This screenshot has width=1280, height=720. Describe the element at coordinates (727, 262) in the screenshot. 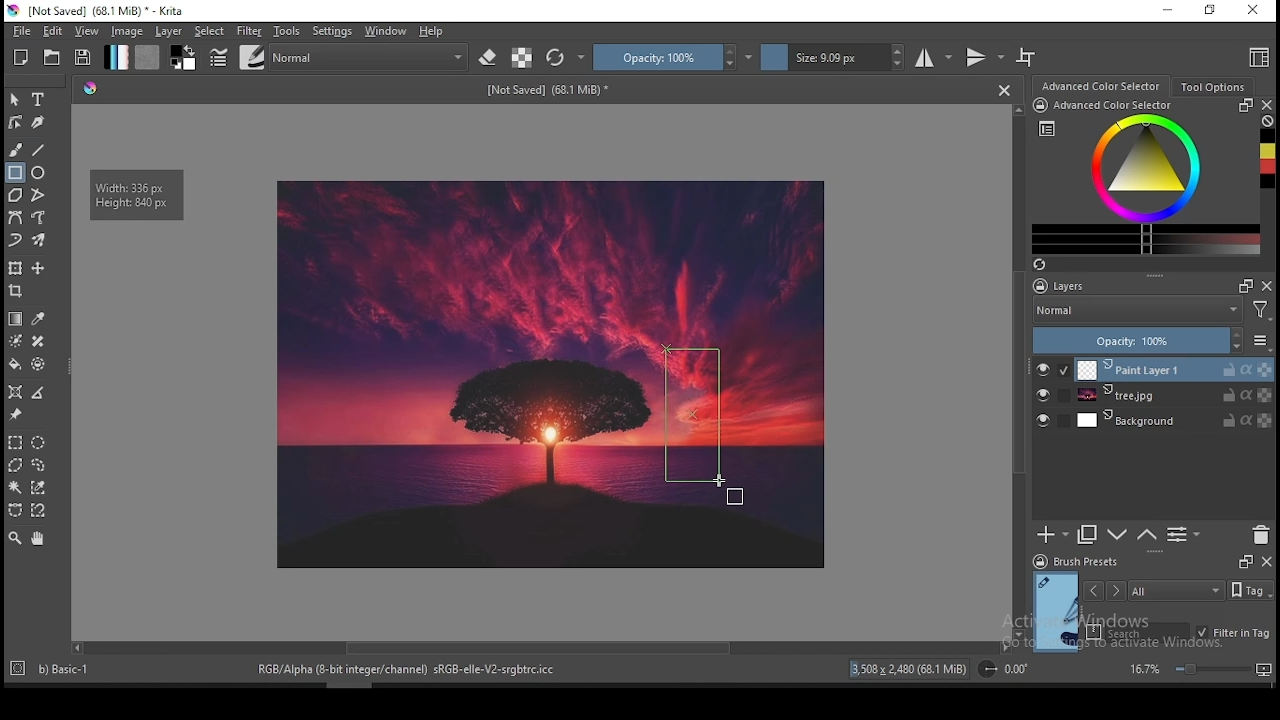

I see `image` at that location.